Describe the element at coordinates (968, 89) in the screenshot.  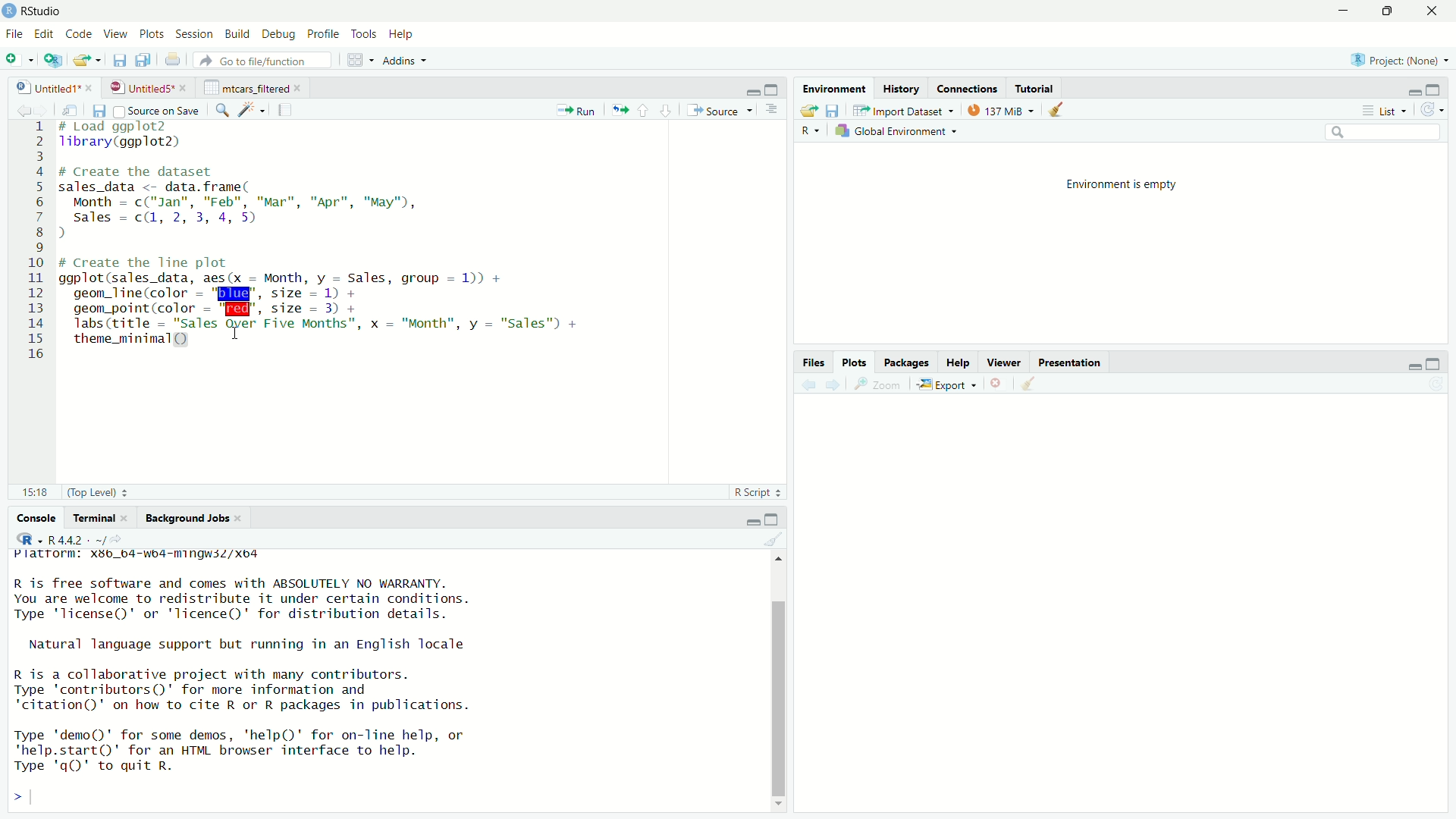
I see `Connections` at that location.